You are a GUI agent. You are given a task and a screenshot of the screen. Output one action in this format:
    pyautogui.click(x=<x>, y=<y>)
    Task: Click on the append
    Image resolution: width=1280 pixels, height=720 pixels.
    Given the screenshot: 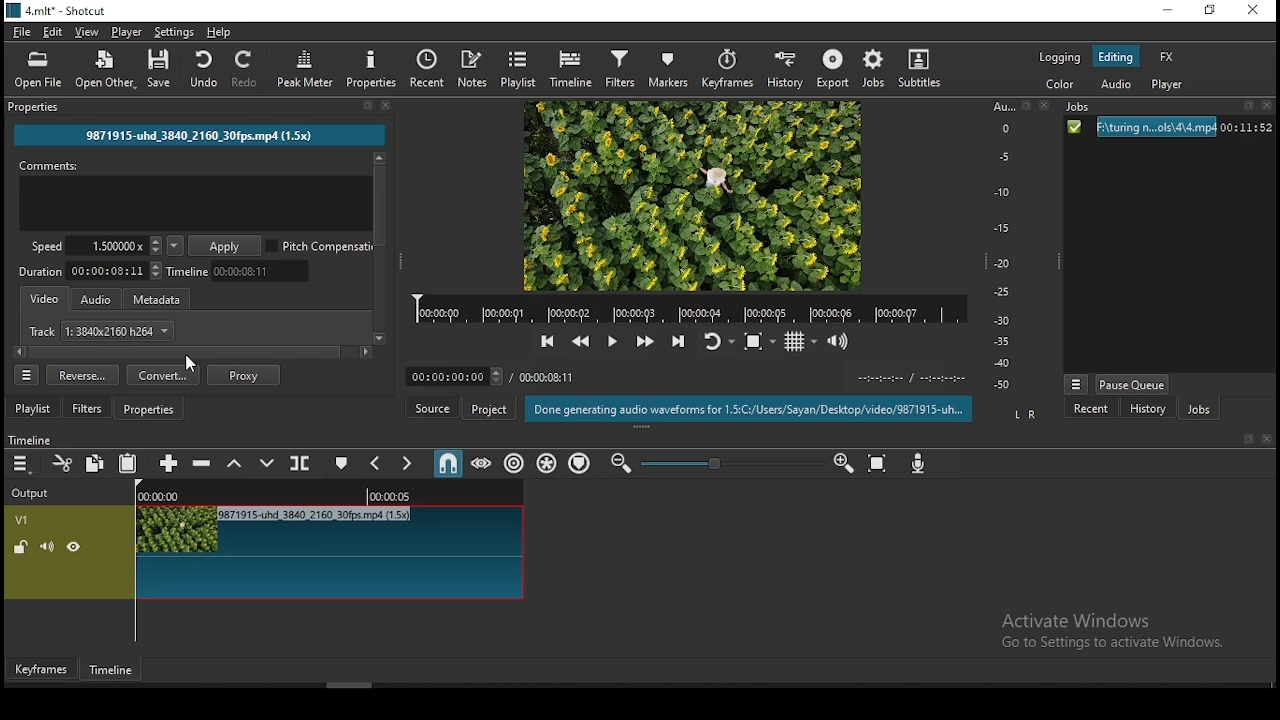 What is the action you would take?
    pyautogui.click(x=166, y=462)
    